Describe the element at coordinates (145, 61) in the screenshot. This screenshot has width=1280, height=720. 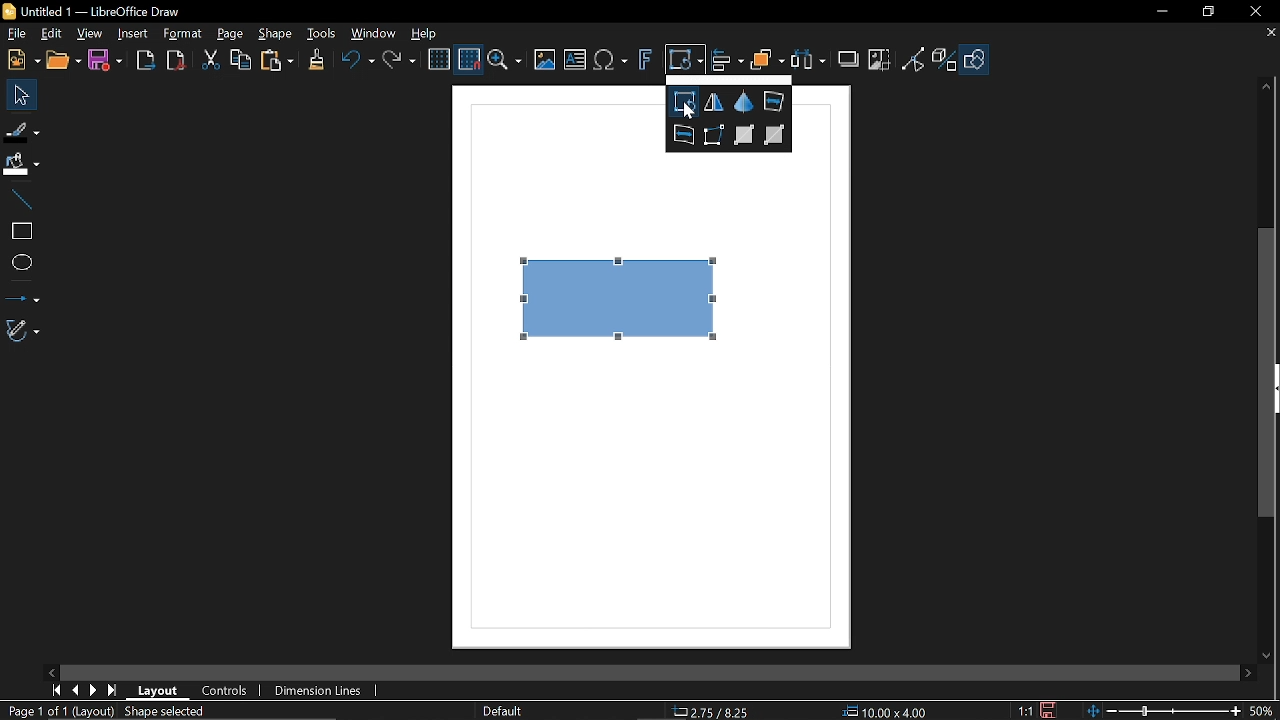
I see `Export ` at that location.